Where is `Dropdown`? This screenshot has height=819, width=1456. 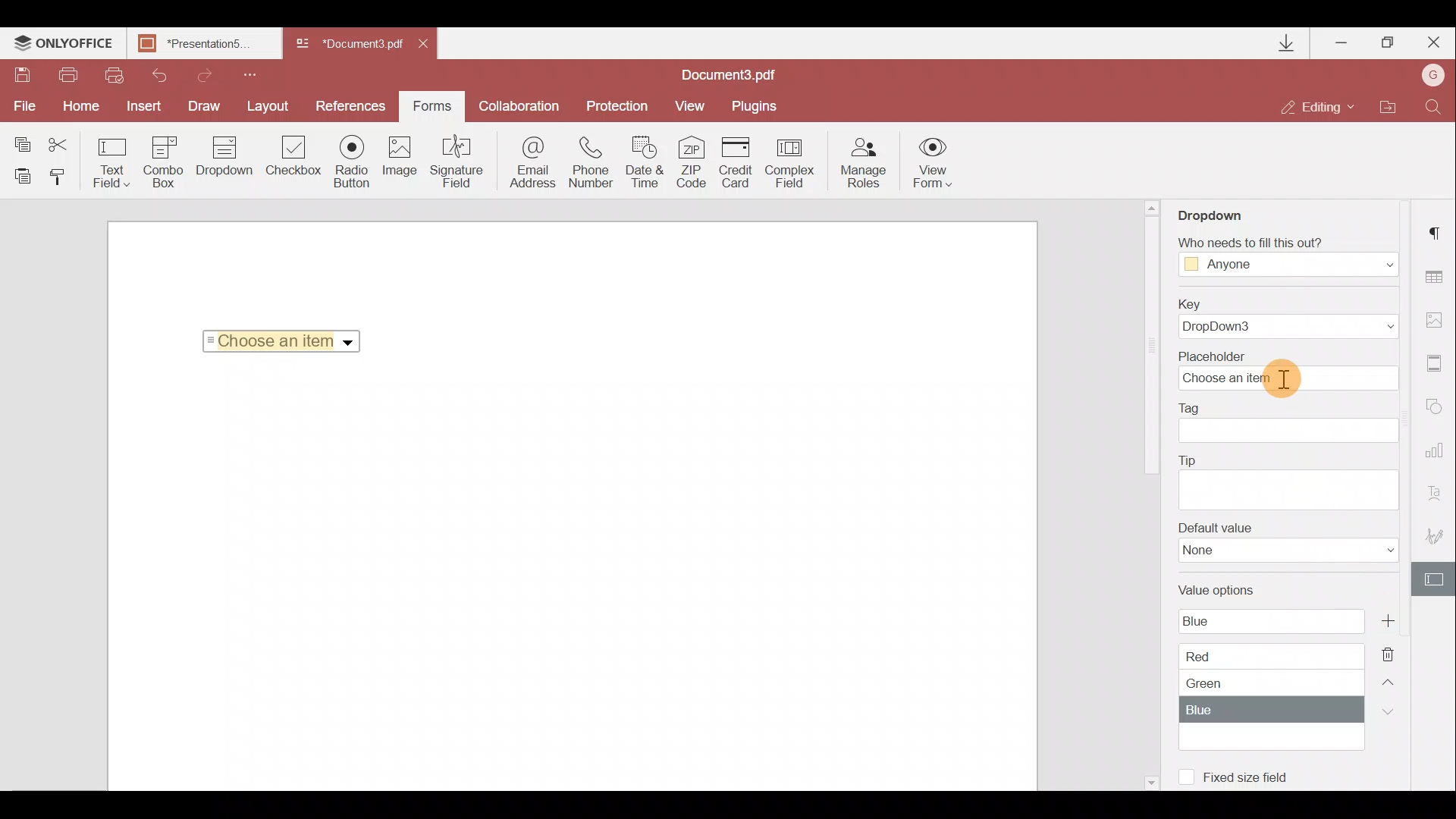 Dropdown is located at coordinates (350, 343).